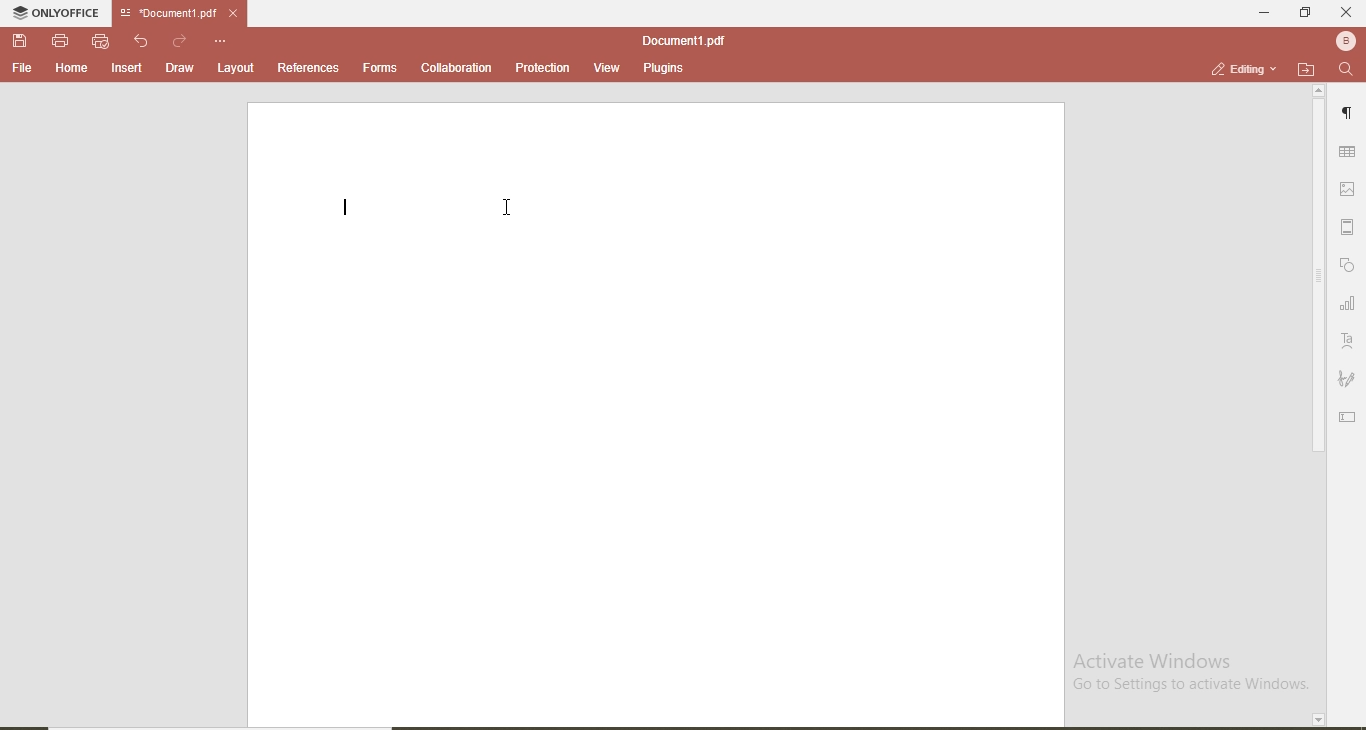  I want to click on image, so click(1350, 191).